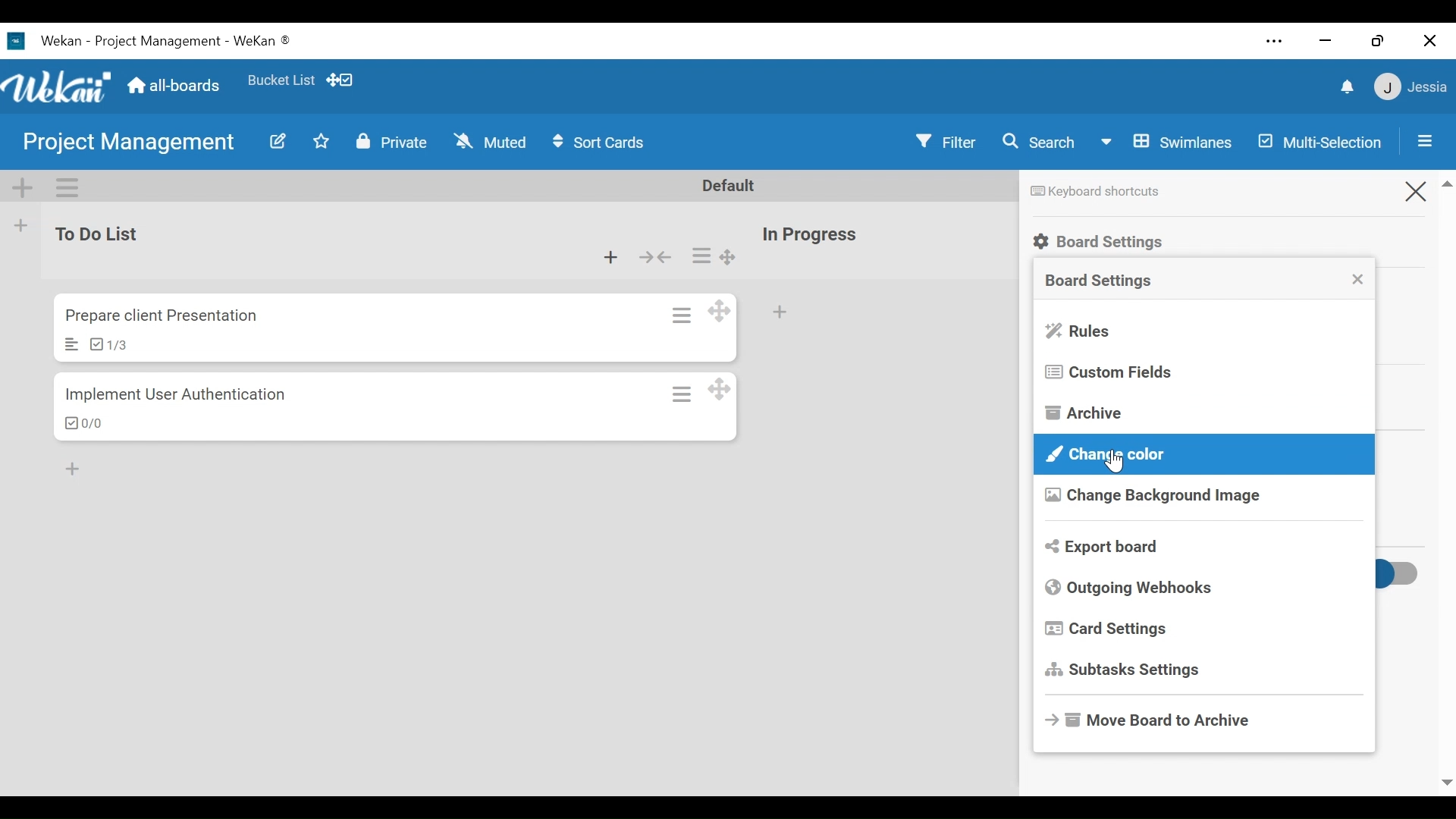 The width and height of the screenshot is (1456, 819). What do you see at coordinates (1099, 281) in the screenshot?
I see `Board settings` at bounding box center [1099, 281].